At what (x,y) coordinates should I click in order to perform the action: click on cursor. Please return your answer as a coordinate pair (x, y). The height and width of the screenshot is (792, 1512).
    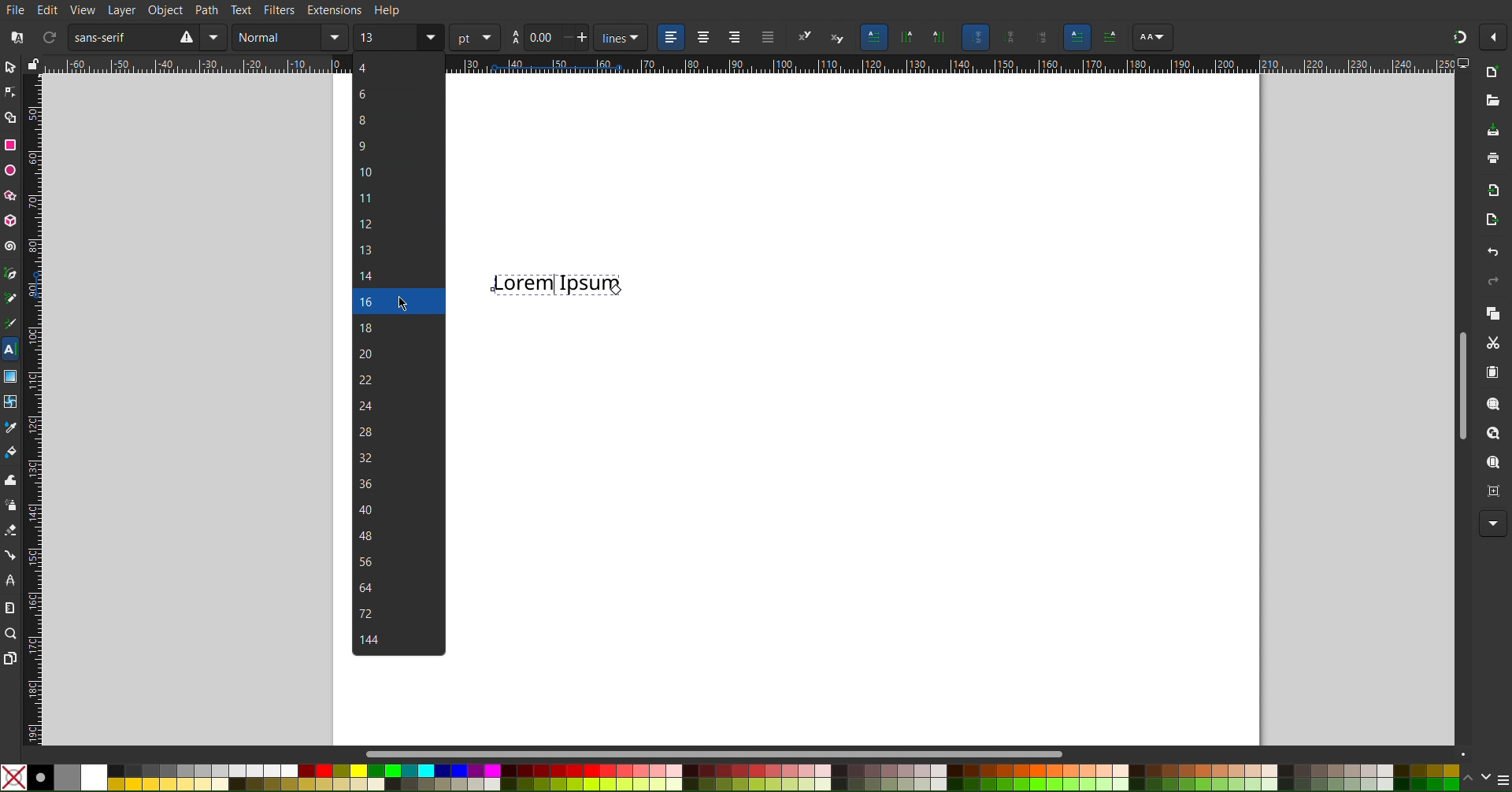
    Looking at the image, I should click on (403, 303).